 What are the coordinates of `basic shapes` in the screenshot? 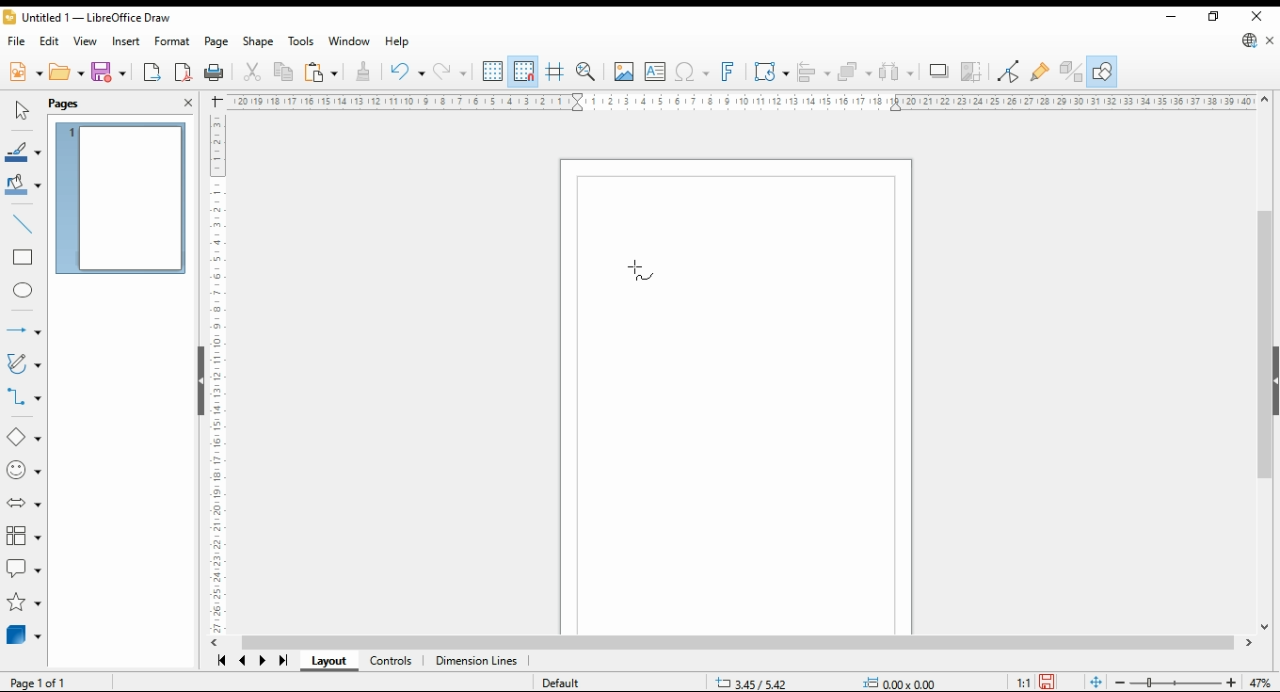 It's located at (22, 437).